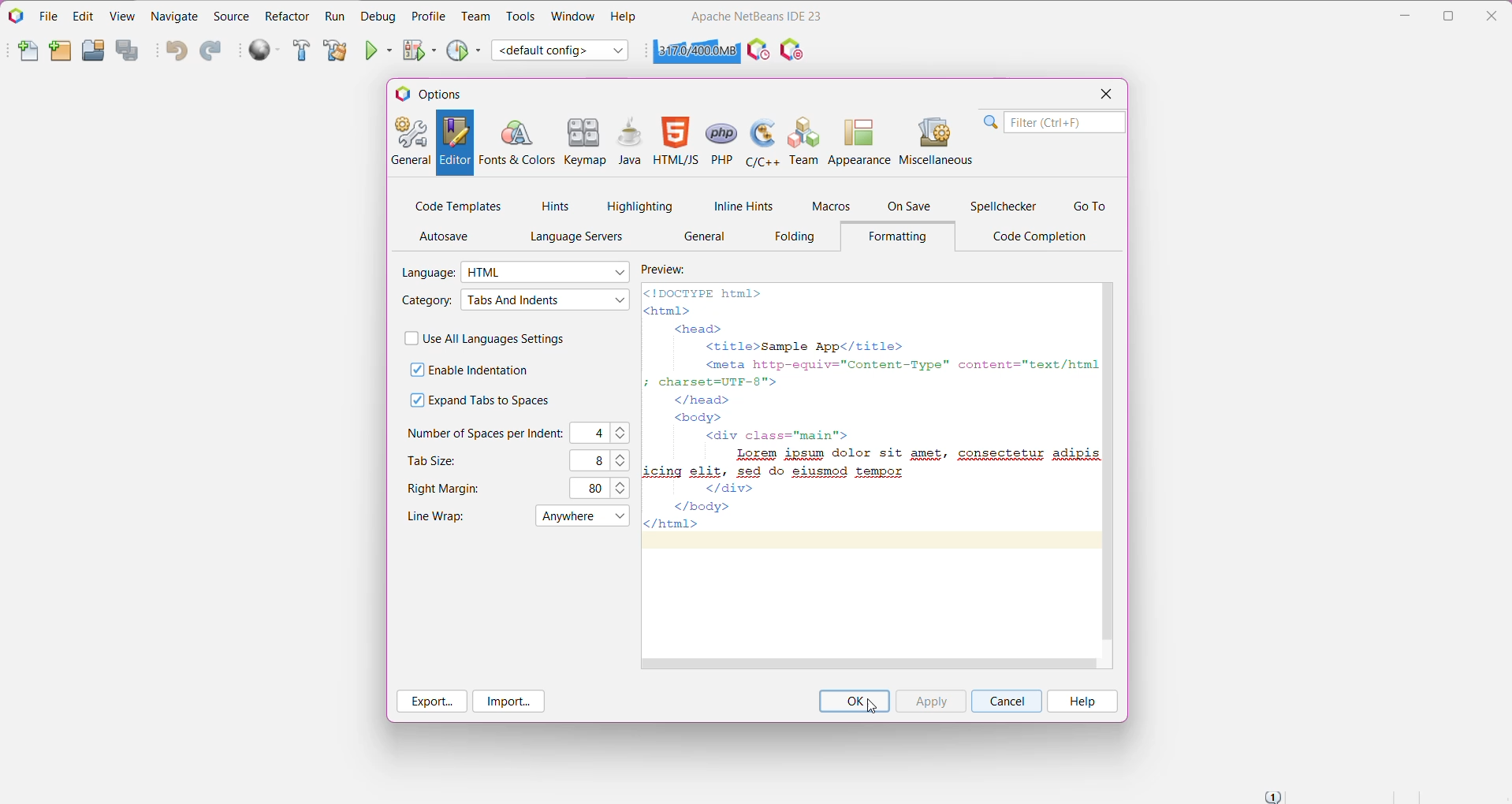 This screenshot has height=804, width=1512. I want to click on Use All Languages Settings, so click(501, 339).